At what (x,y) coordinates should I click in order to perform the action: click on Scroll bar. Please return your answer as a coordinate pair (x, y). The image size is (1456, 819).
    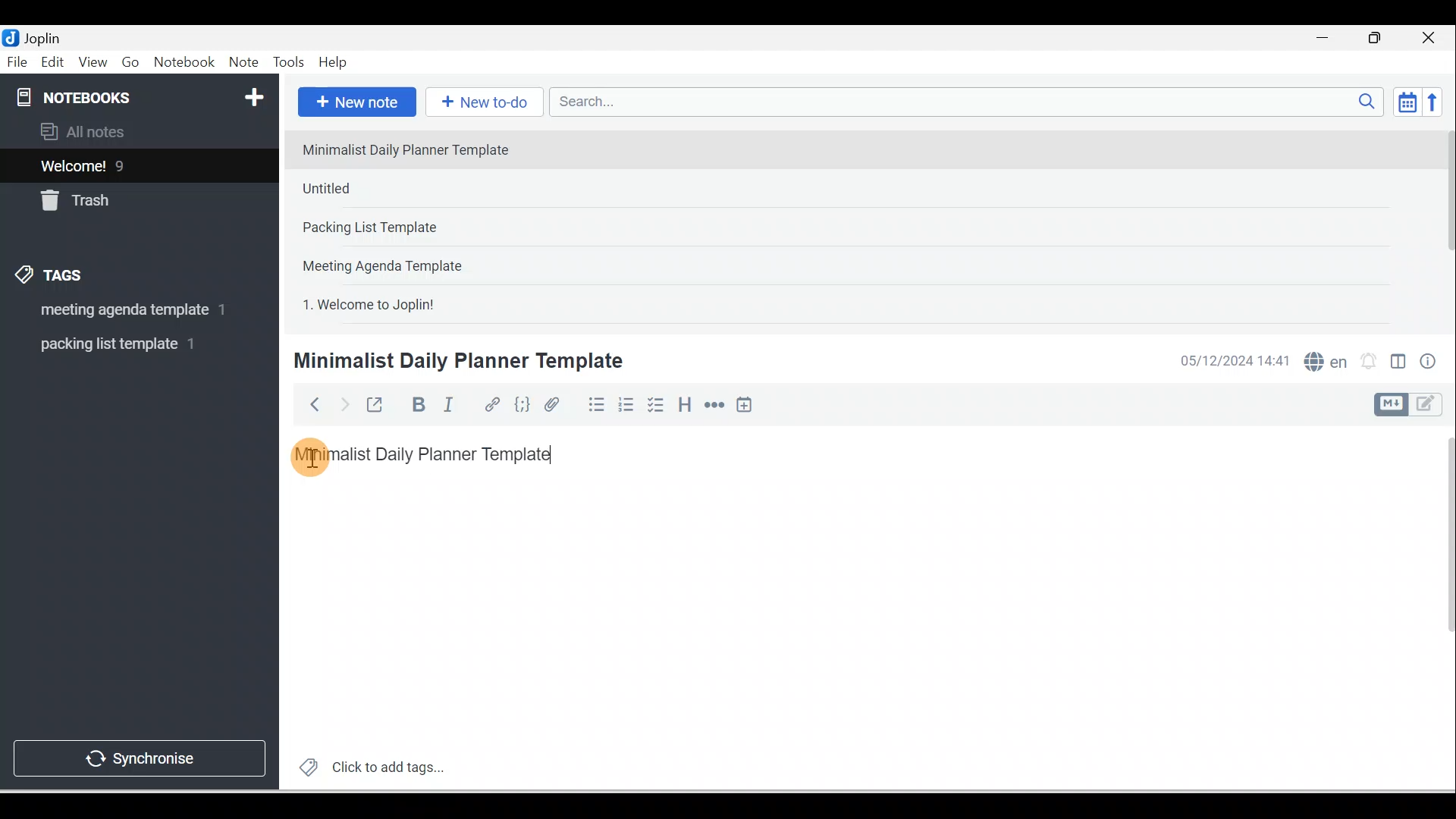
    Looking at the image, I should click on (1439, 608).